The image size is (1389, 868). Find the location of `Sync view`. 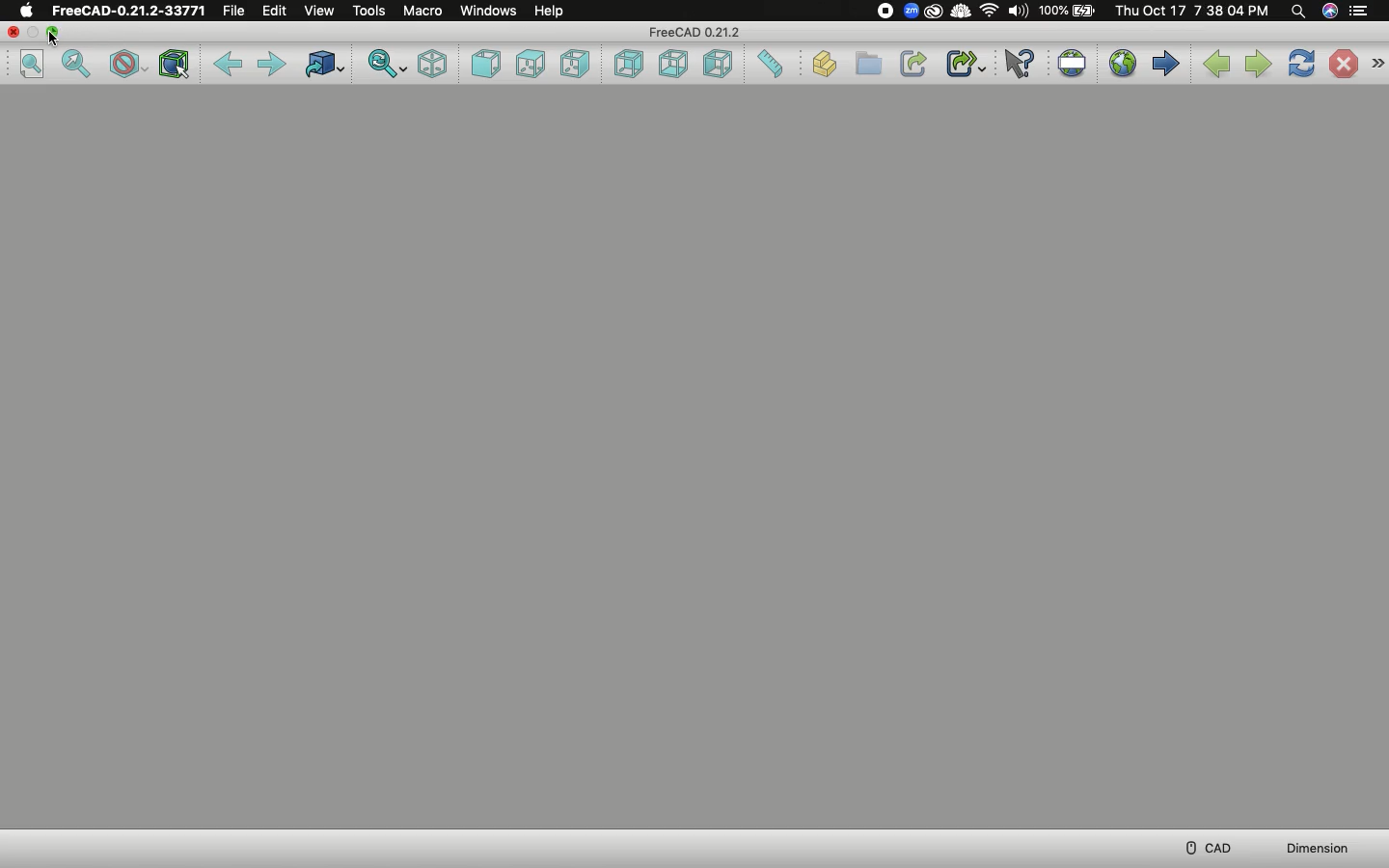

Sync view is located at coordinates (388, 65).